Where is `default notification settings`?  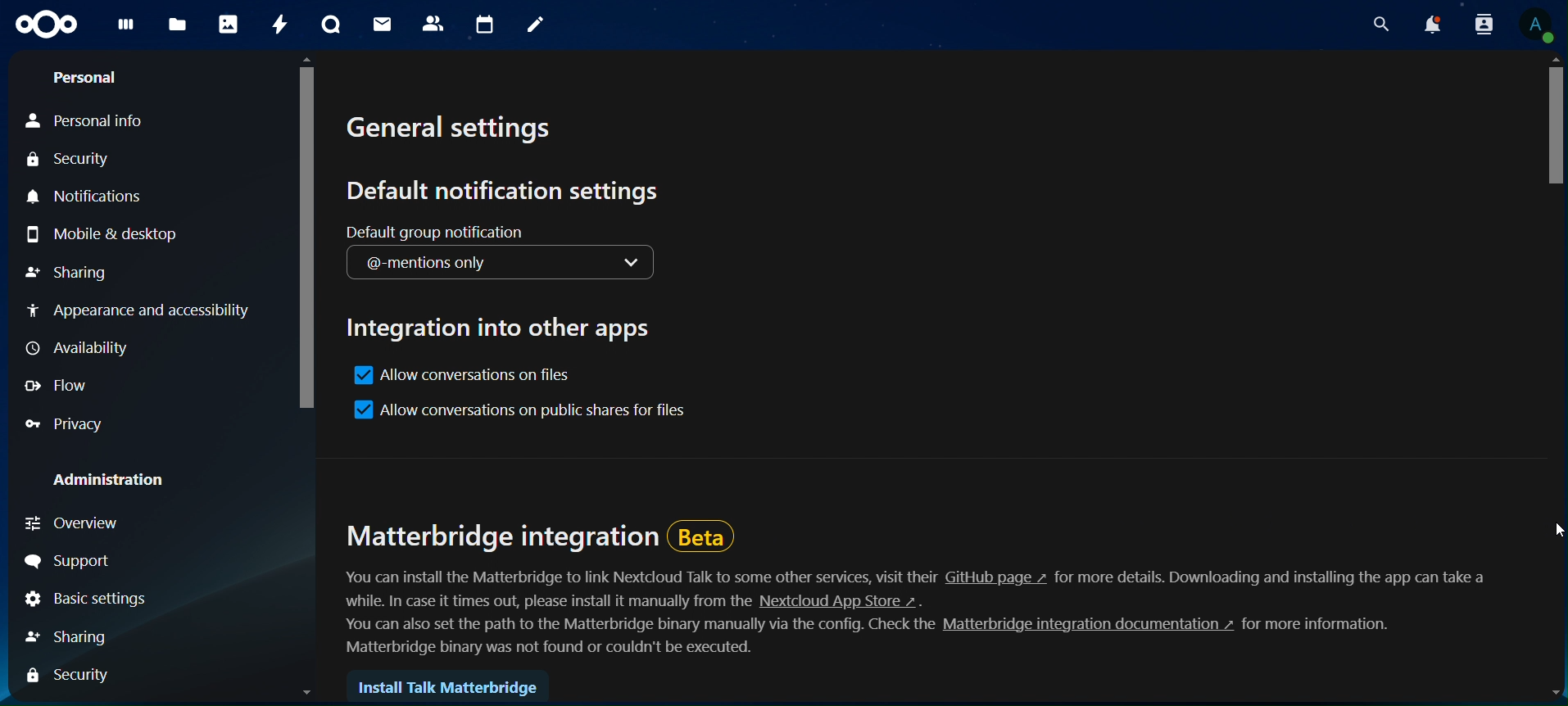 default notification settings is located at coordinates (514, 190).